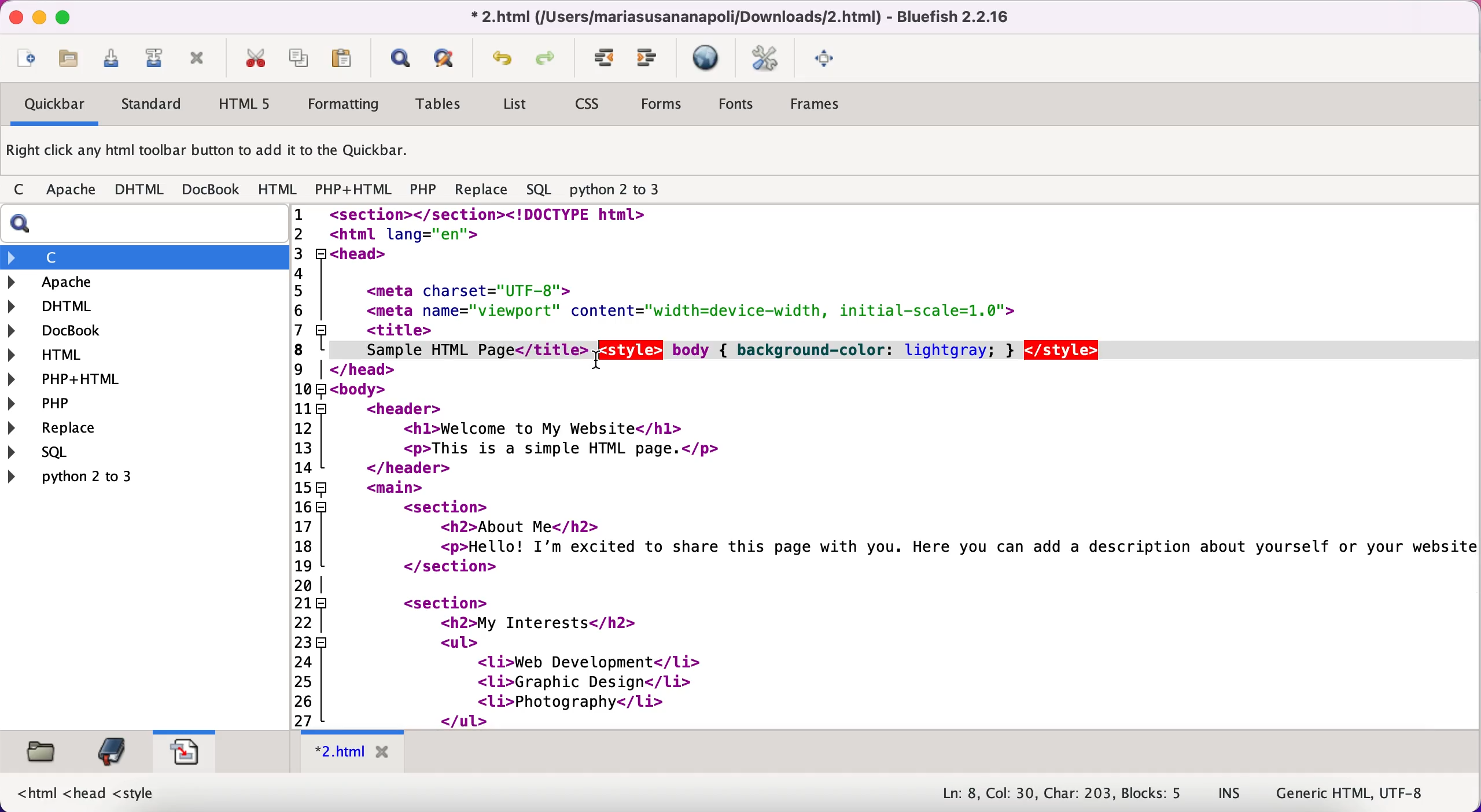 The height and width of the screenshot is (812, 1481). What do you see at coordinates (344, 106) in the screenshot?
I see `formatting` at bounding box center [344, 106].